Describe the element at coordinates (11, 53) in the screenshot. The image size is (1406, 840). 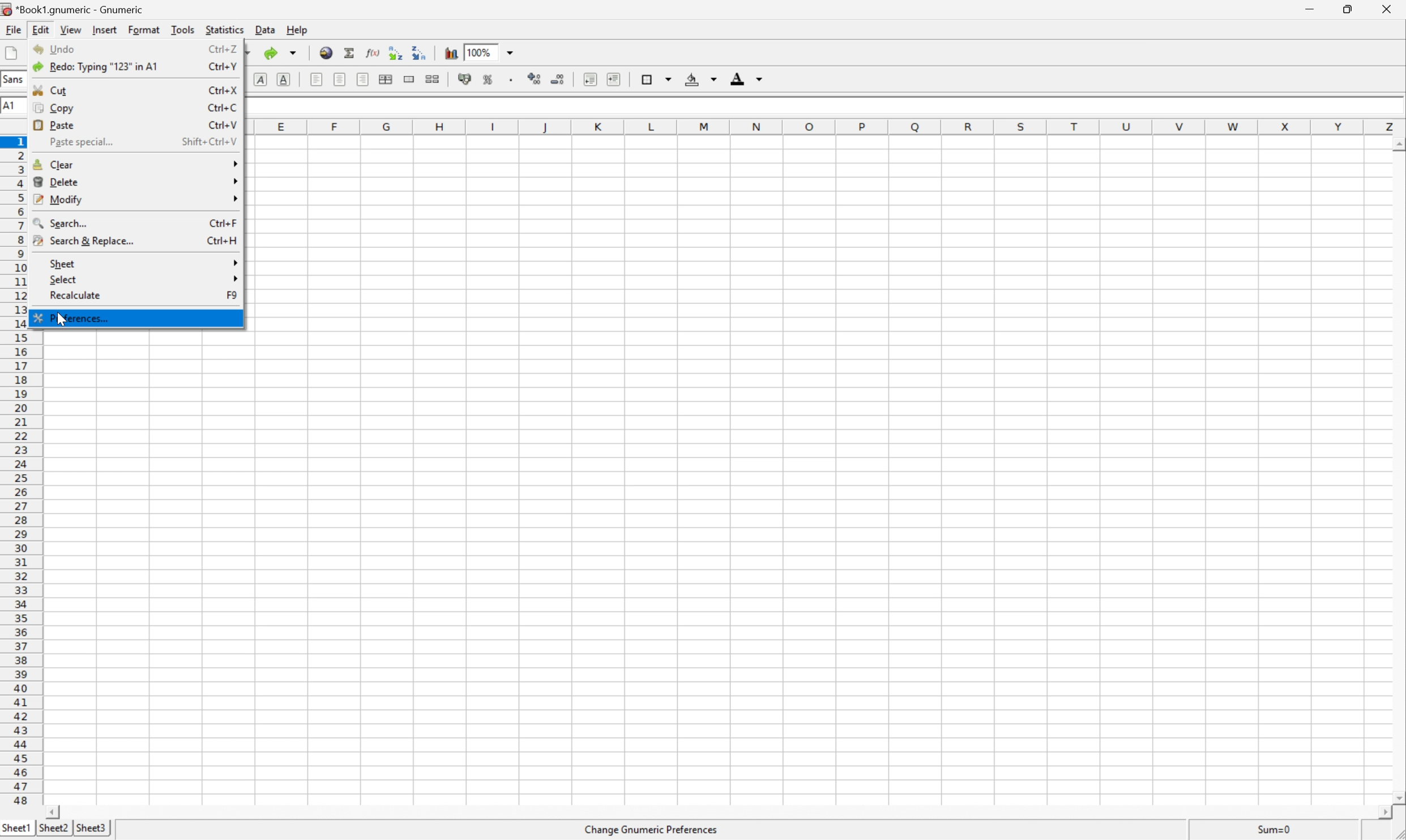
I see `new` at that location.